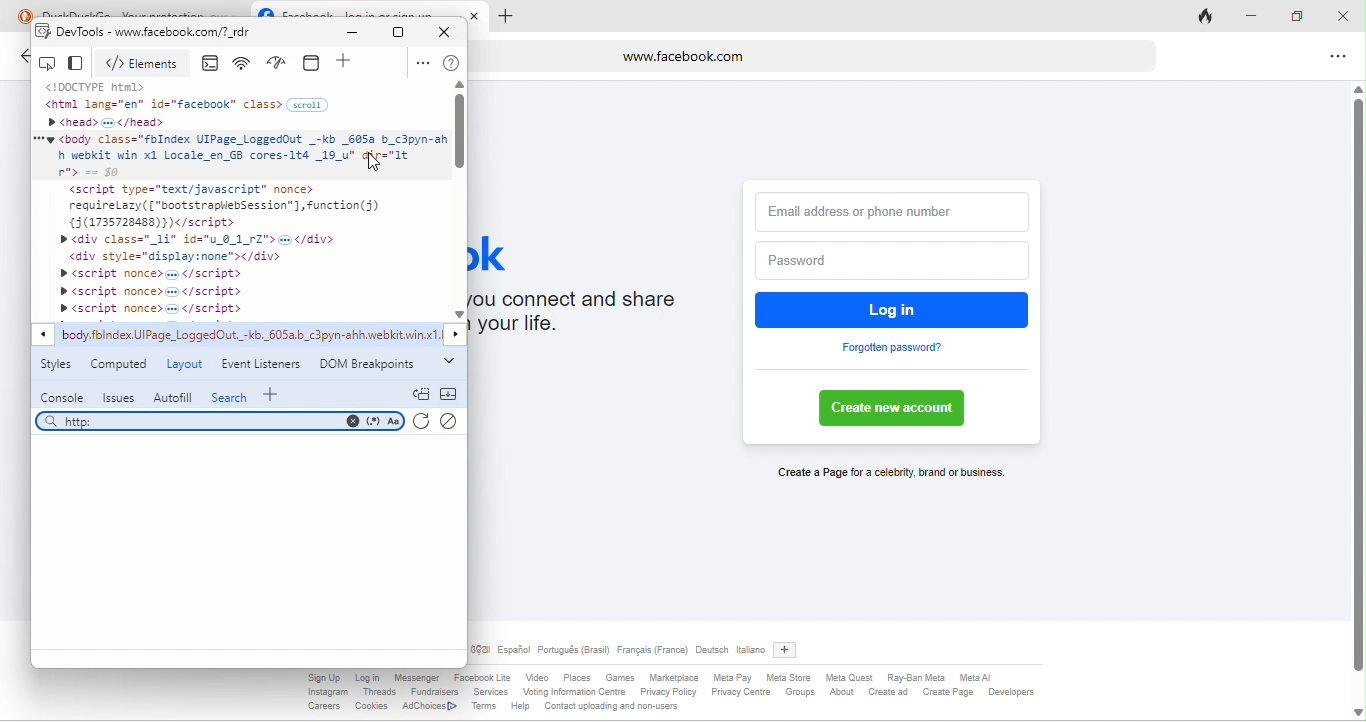 The width and height of the screenshot is (1366, 722). Describe the element at coordinates (452, 64) in the screenshot. I see `help` at that location.